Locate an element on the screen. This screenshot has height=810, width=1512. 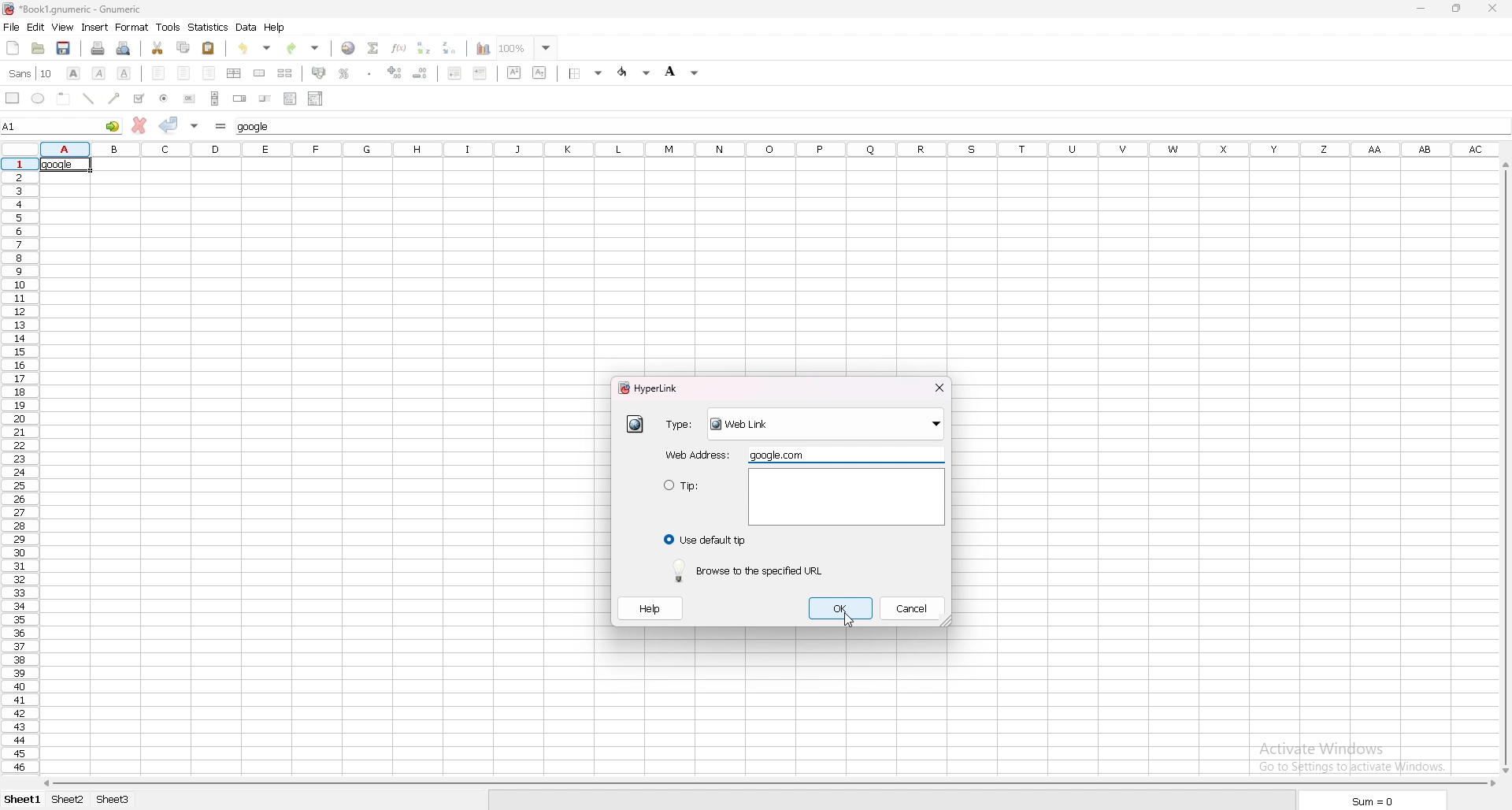
accept changes in multple cell is located at coordinates (196, 126).